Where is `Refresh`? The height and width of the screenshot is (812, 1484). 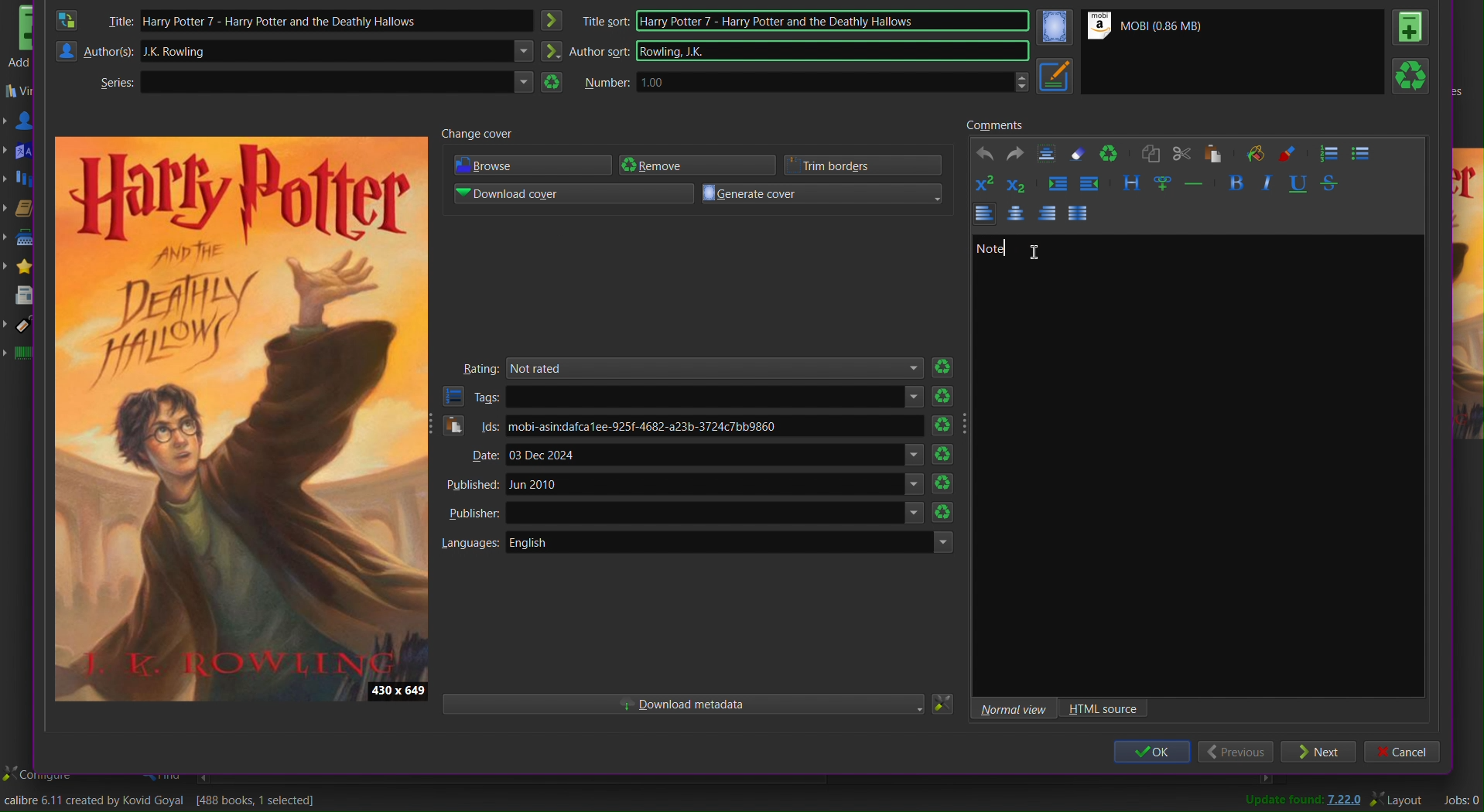 Refresh is located at coordinates (1411, 75).